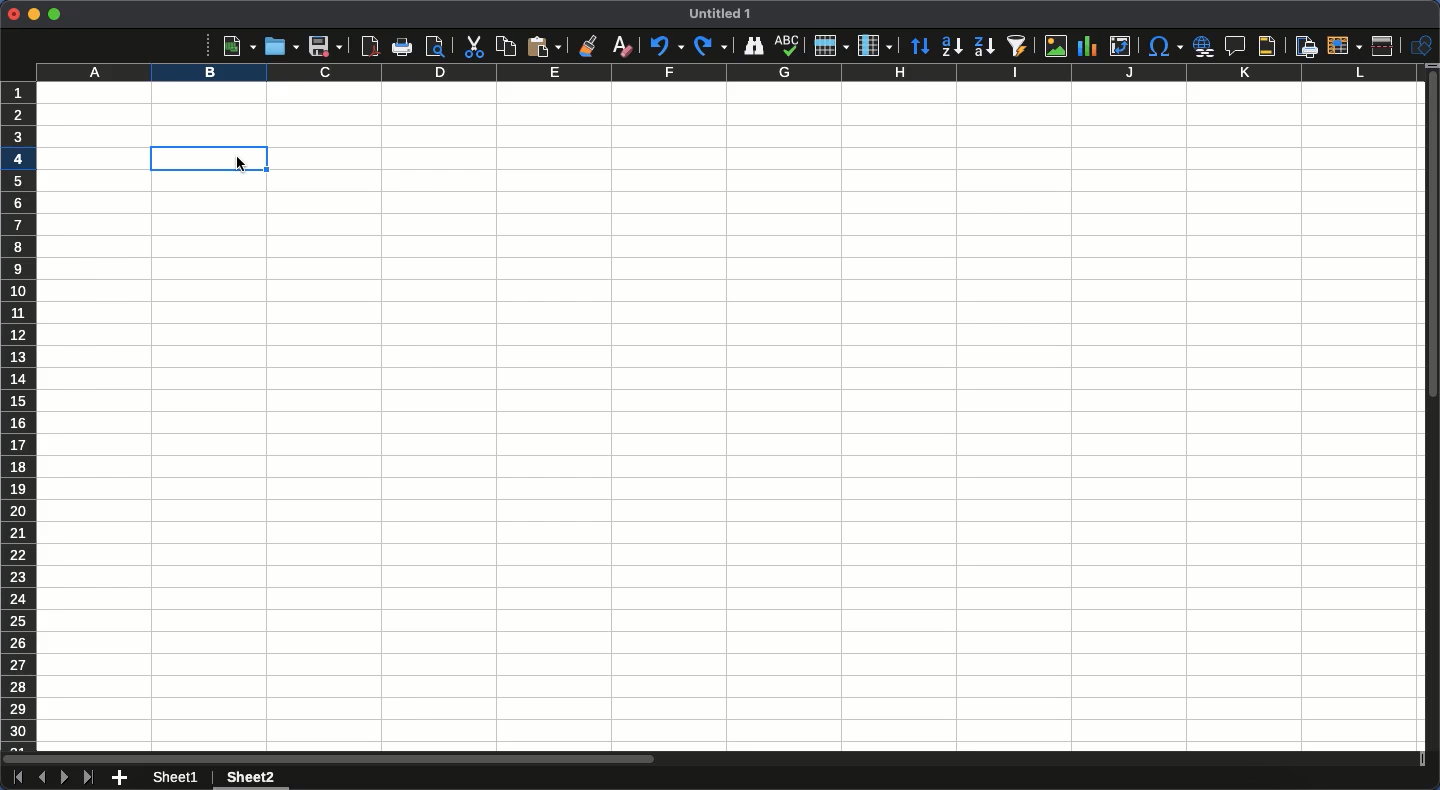 This screenshot has height=790, width=1440. I want to click on Minimize, so click(34, 15).